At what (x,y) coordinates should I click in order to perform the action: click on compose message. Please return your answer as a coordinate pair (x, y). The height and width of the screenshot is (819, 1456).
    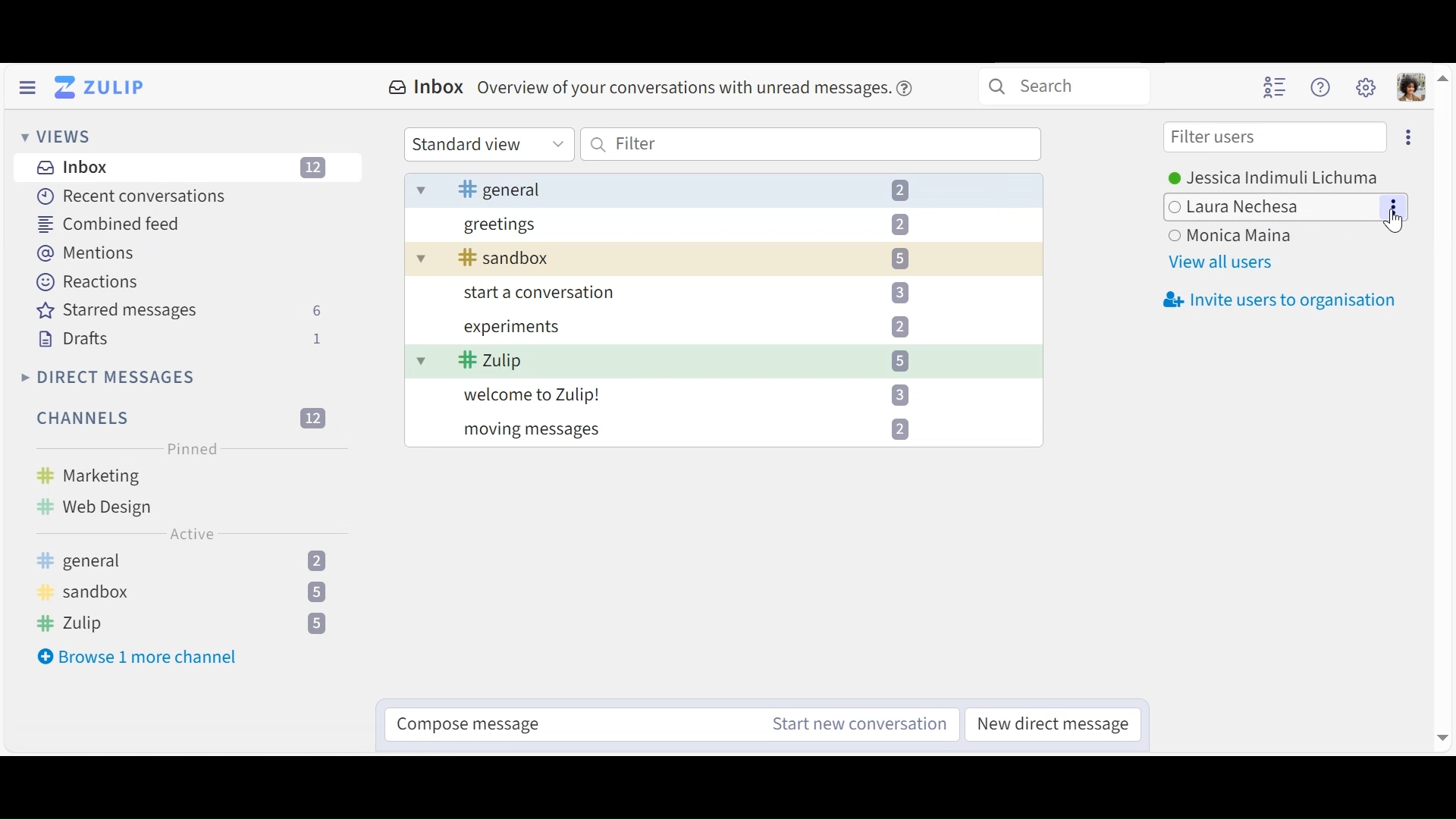
    Looking at the image, I should click on (570, 723).